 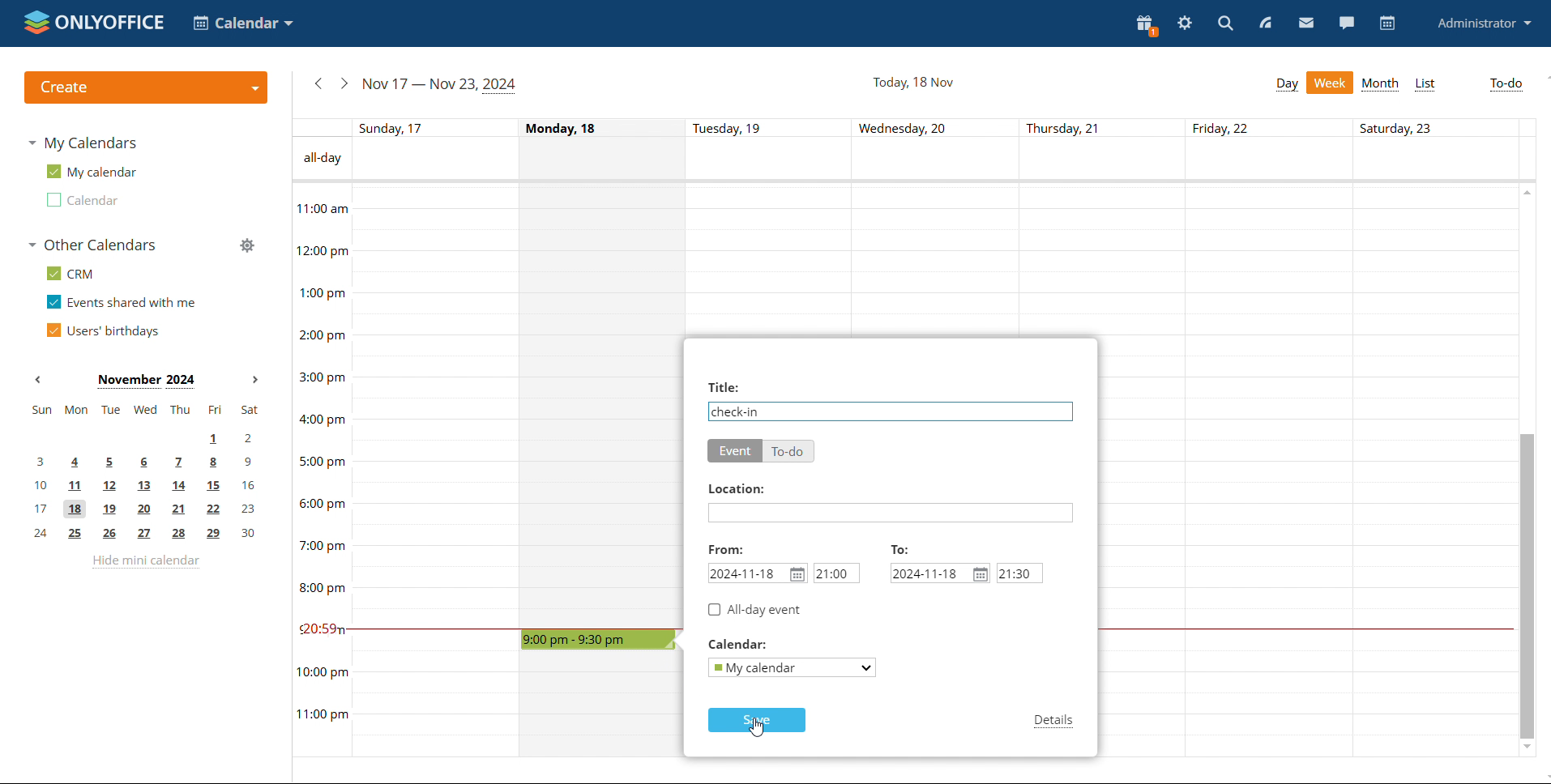 What do you see at coordinates (597, 640) in the screenshot?
I see `time block selected` at bounding box center [597, 640].